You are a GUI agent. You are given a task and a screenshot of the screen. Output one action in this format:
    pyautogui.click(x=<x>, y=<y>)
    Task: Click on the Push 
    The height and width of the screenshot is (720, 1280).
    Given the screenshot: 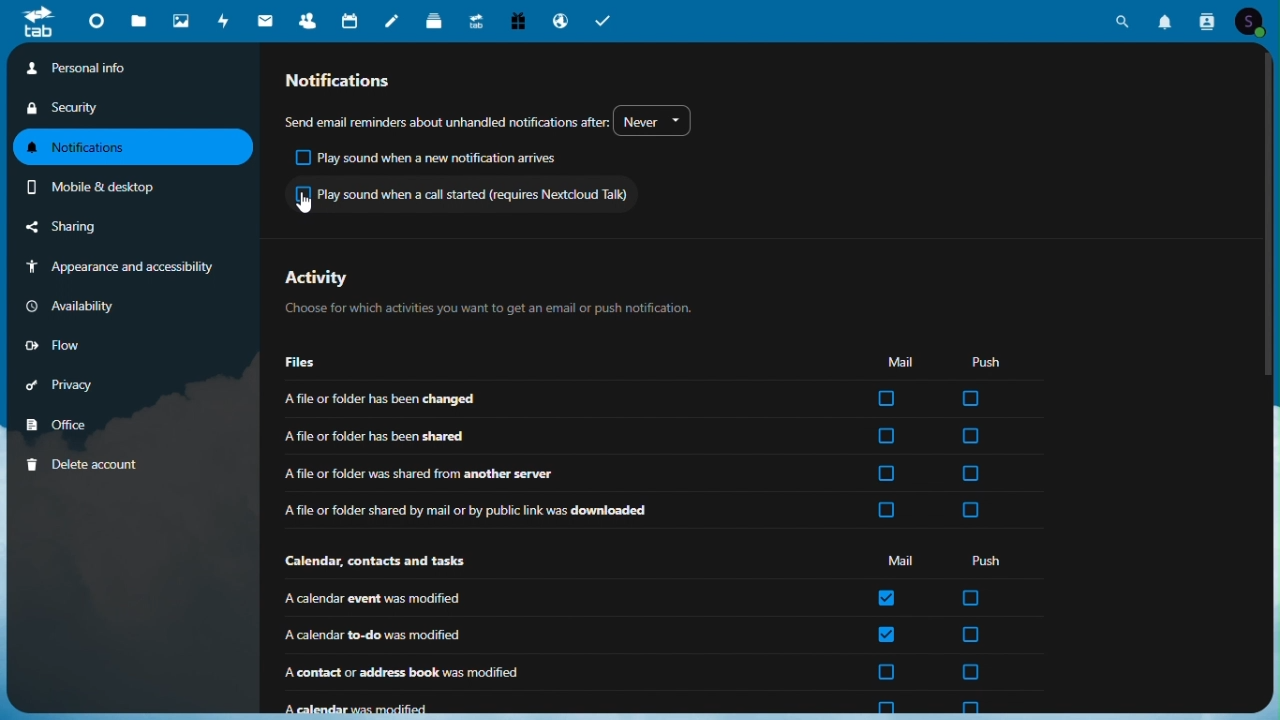 What is the action you would take?
    pyautogui.click(x=986, y=361)
    